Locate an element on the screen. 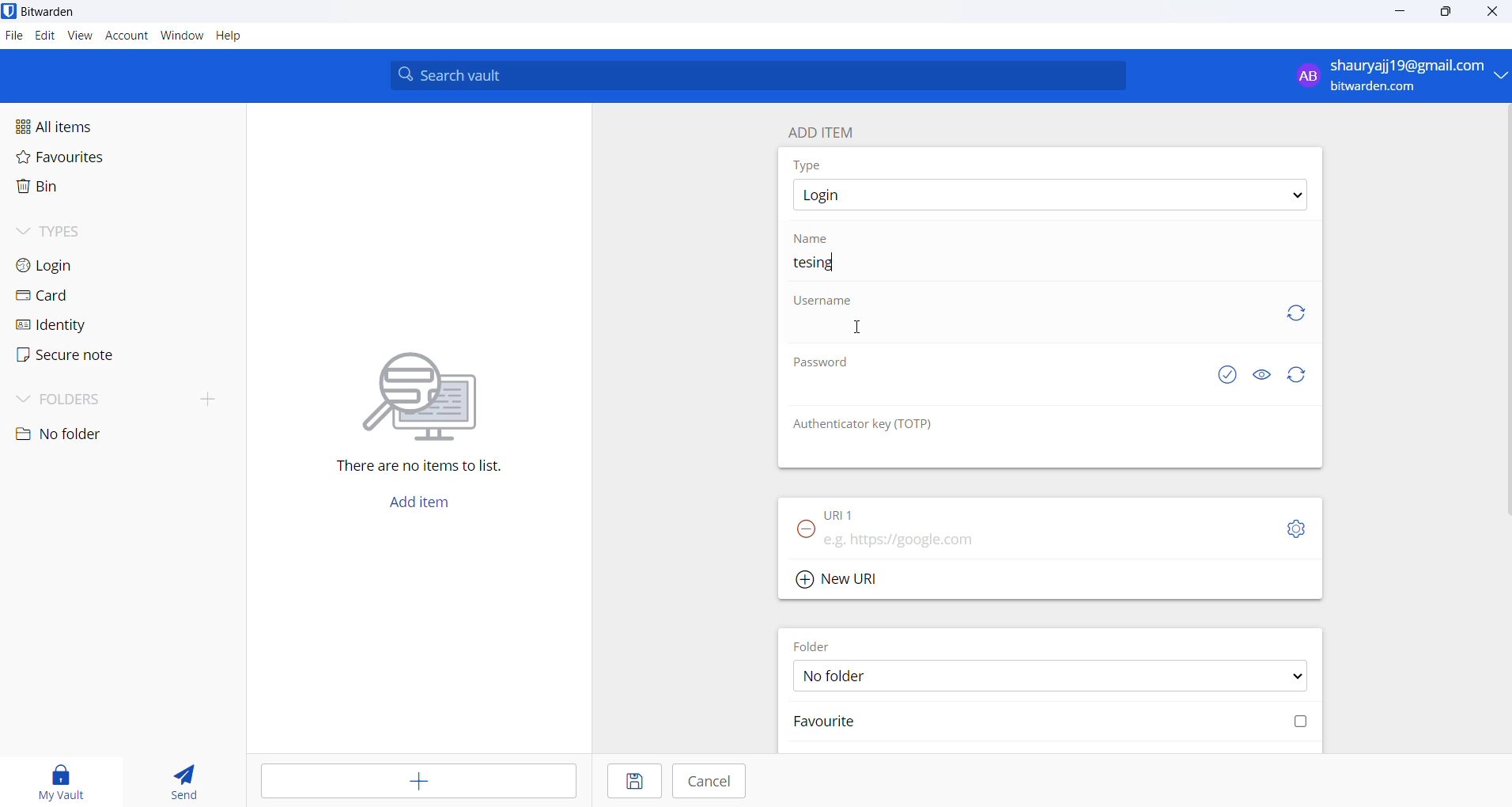 Image resolution: width=1512 pixels, height=807 pixels. Cancel is located at coordinates (710, 781).